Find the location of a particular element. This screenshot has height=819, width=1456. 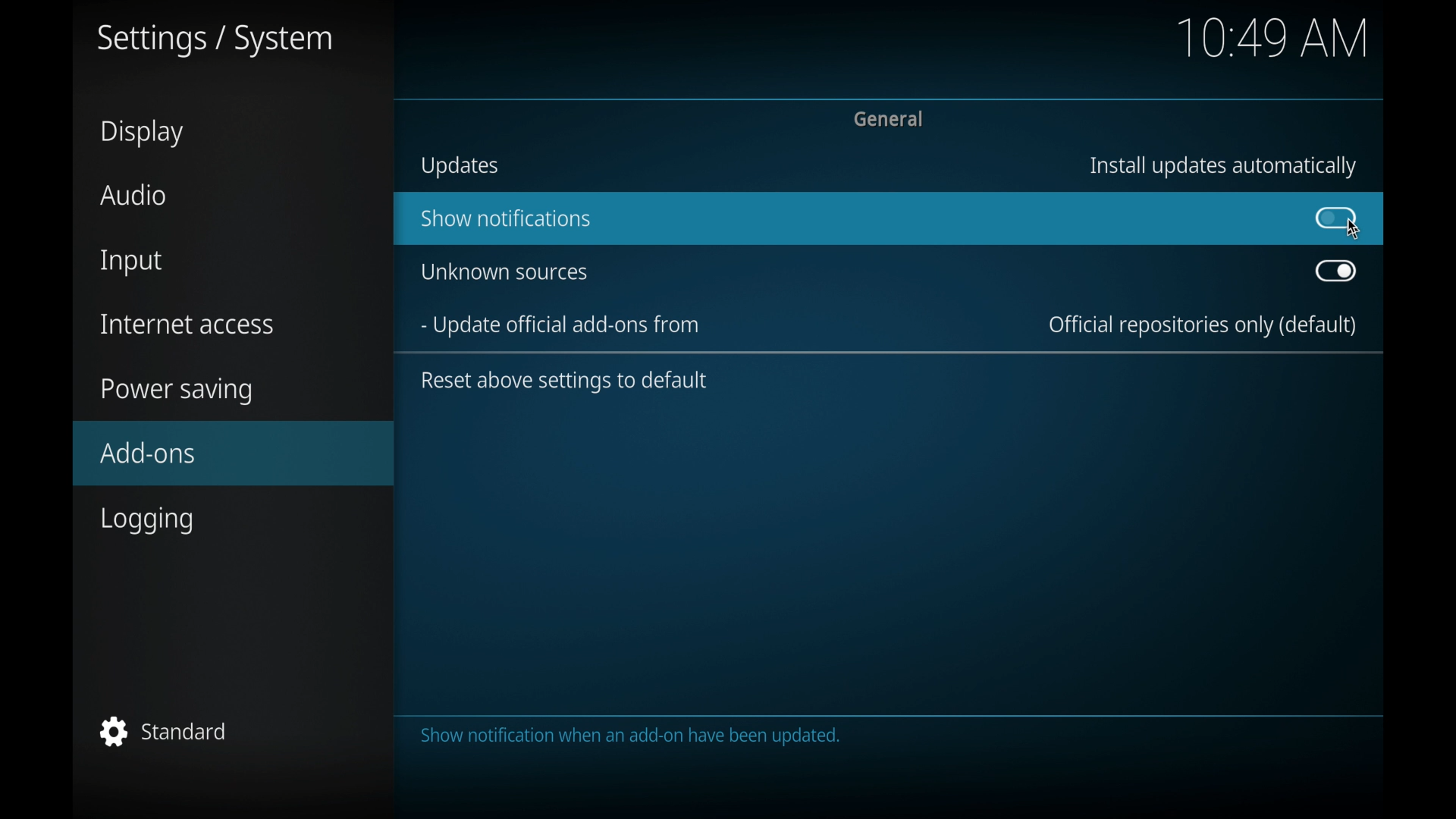

unknown sources is located at coordinates (505, 270).